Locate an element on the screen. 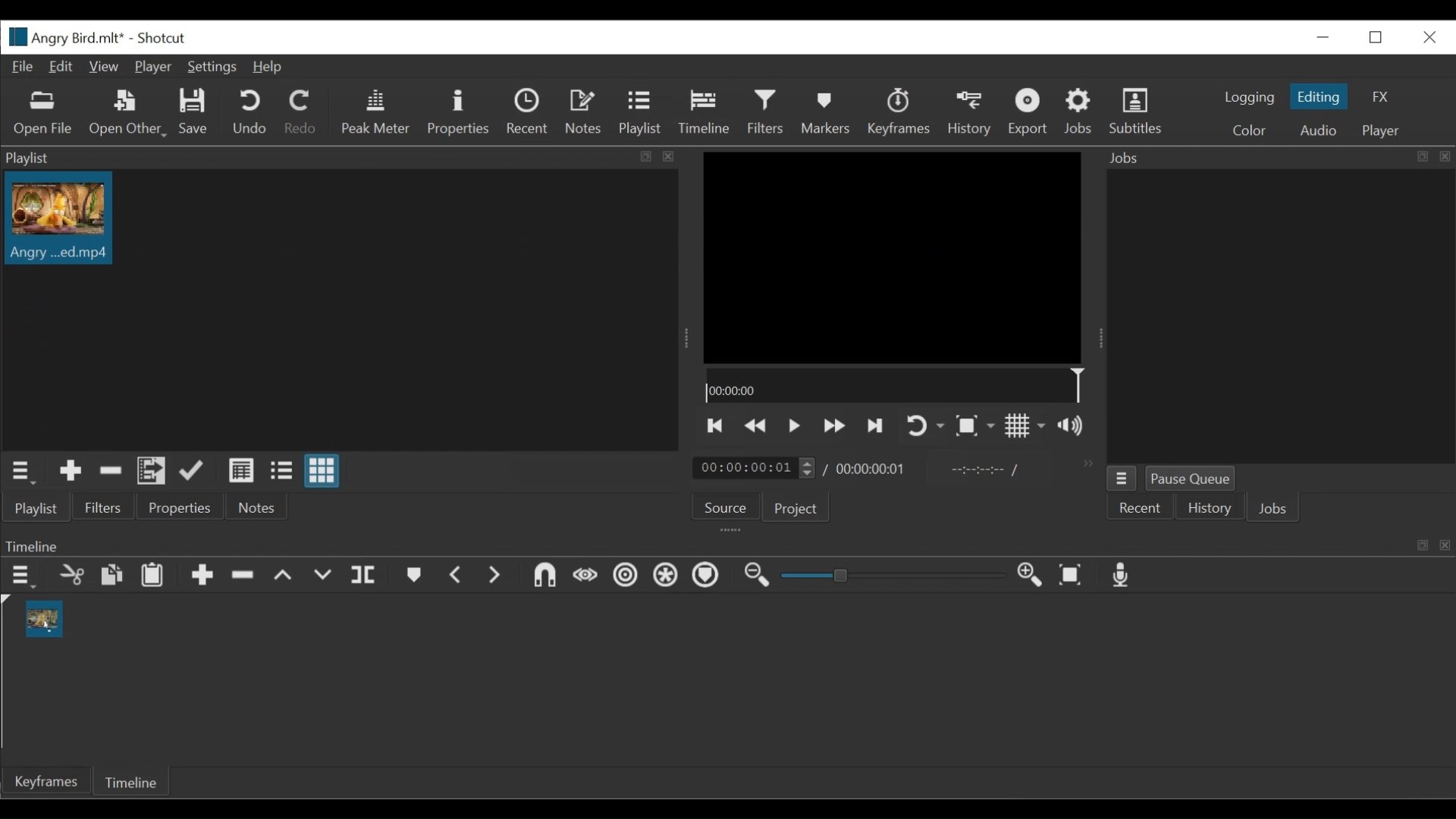  Zoom timeline out  is located at coordinates (762, 575).